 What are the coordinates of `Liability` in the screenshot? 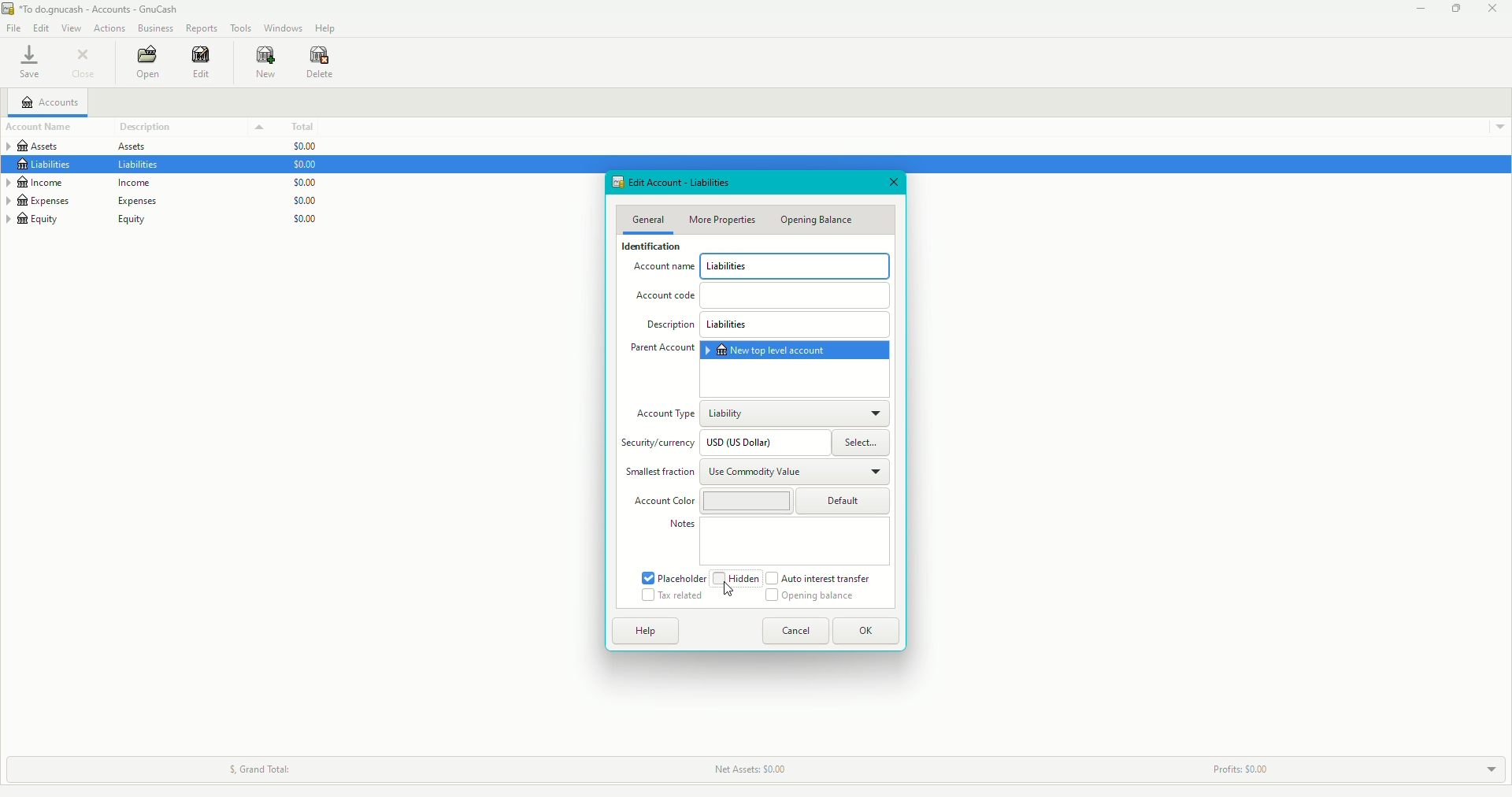 It's located at (797, 413).